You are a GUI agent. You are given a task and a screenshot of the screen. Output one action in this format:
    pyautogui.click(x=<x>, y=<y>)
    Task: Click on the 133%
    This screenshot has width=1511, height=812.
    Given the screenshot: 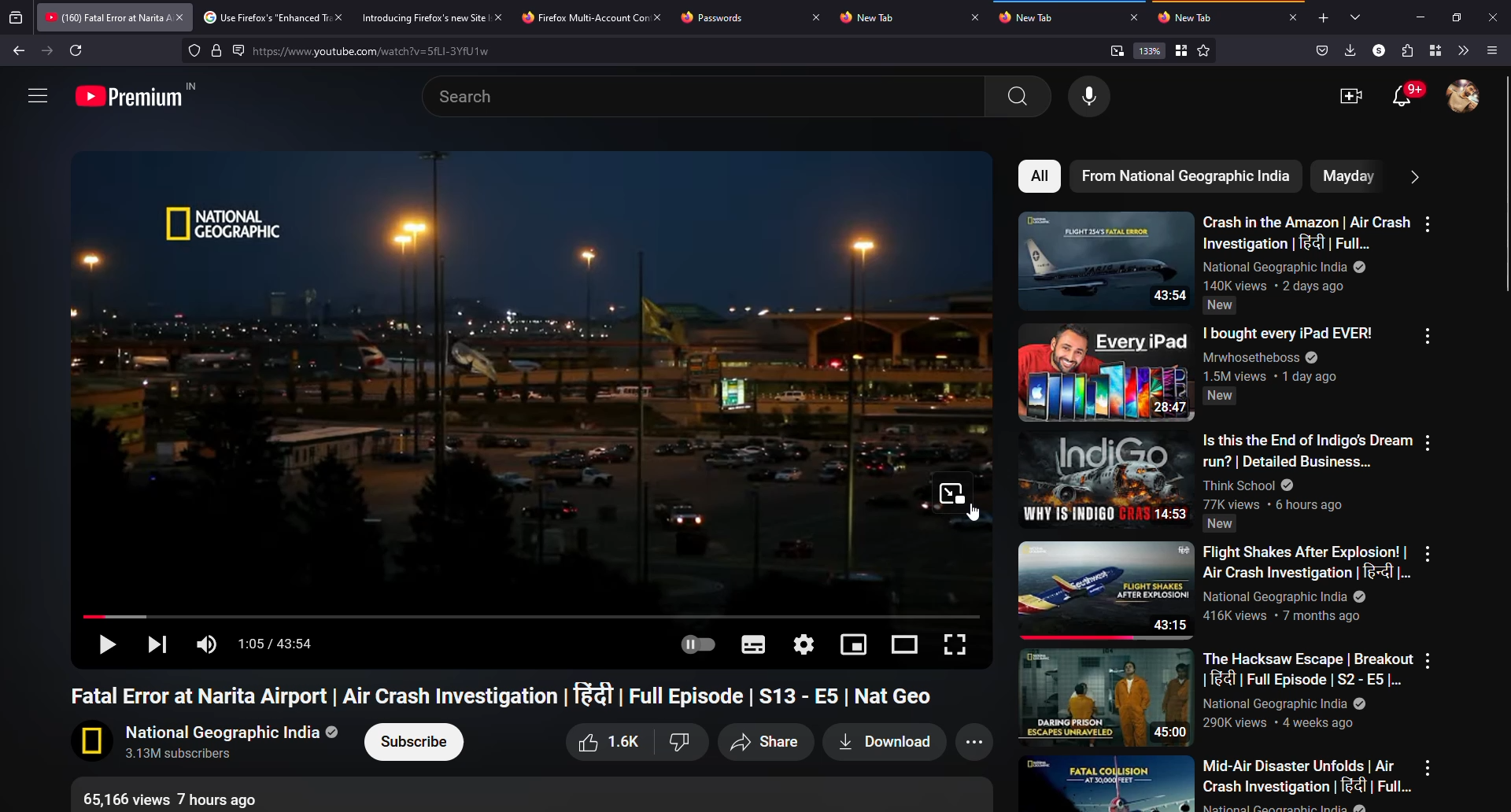 What is the action you would take?
    pyautogui.click(x=1150, y=50)
    